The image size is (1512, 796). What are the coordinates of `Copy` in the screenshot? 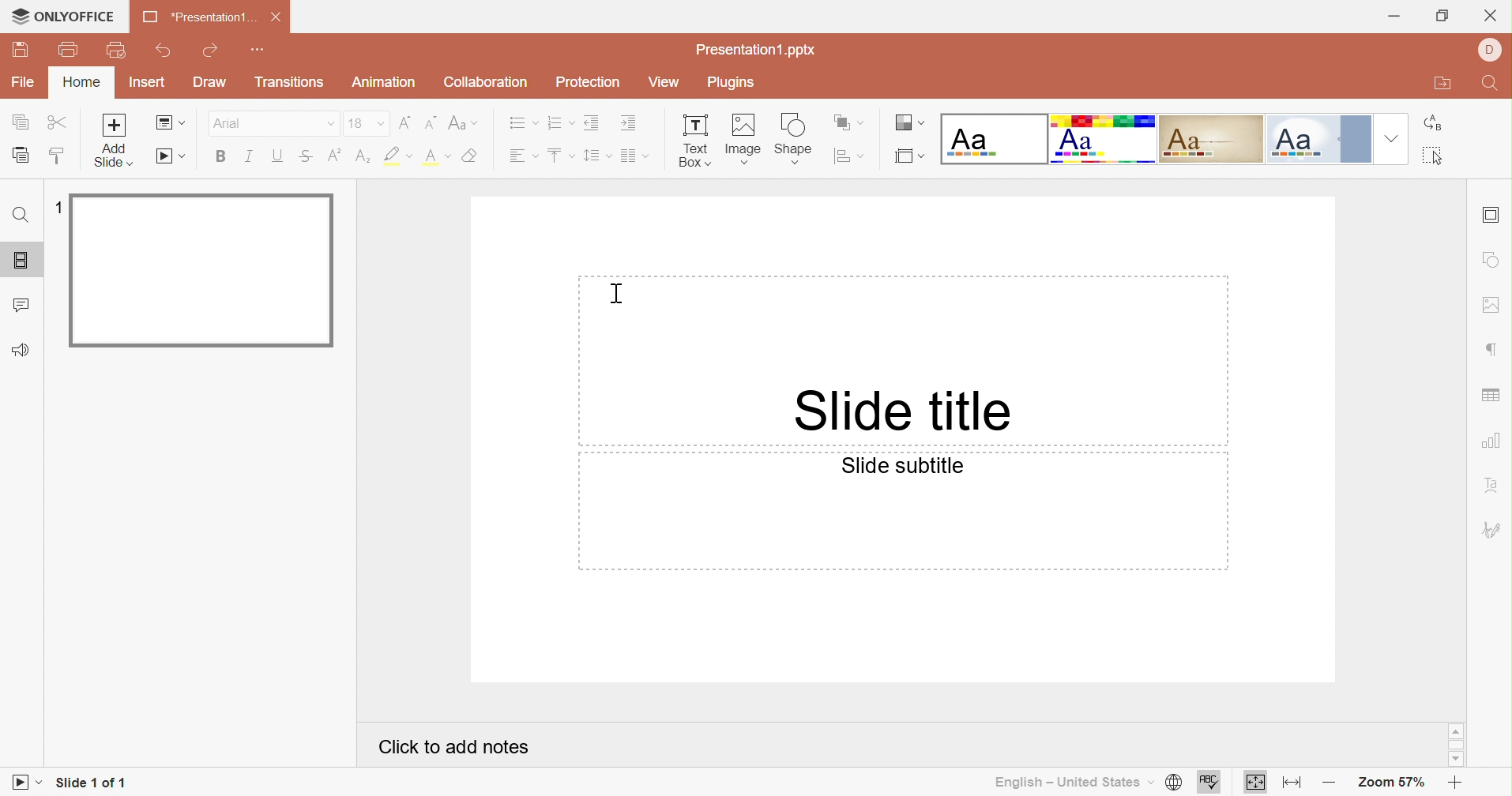 It's located at (21, 123).